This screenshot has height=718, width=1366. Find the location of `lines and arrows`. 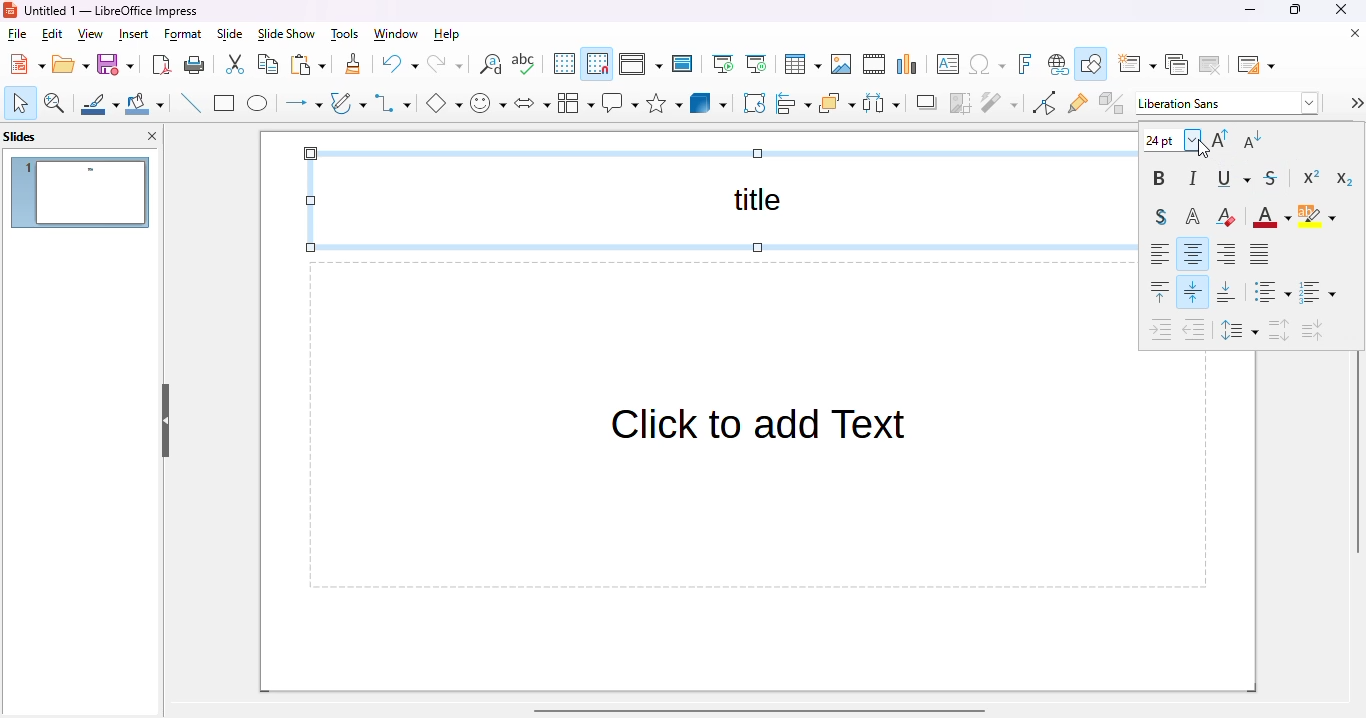

lines and arrows is located at coordinates (302, 104).